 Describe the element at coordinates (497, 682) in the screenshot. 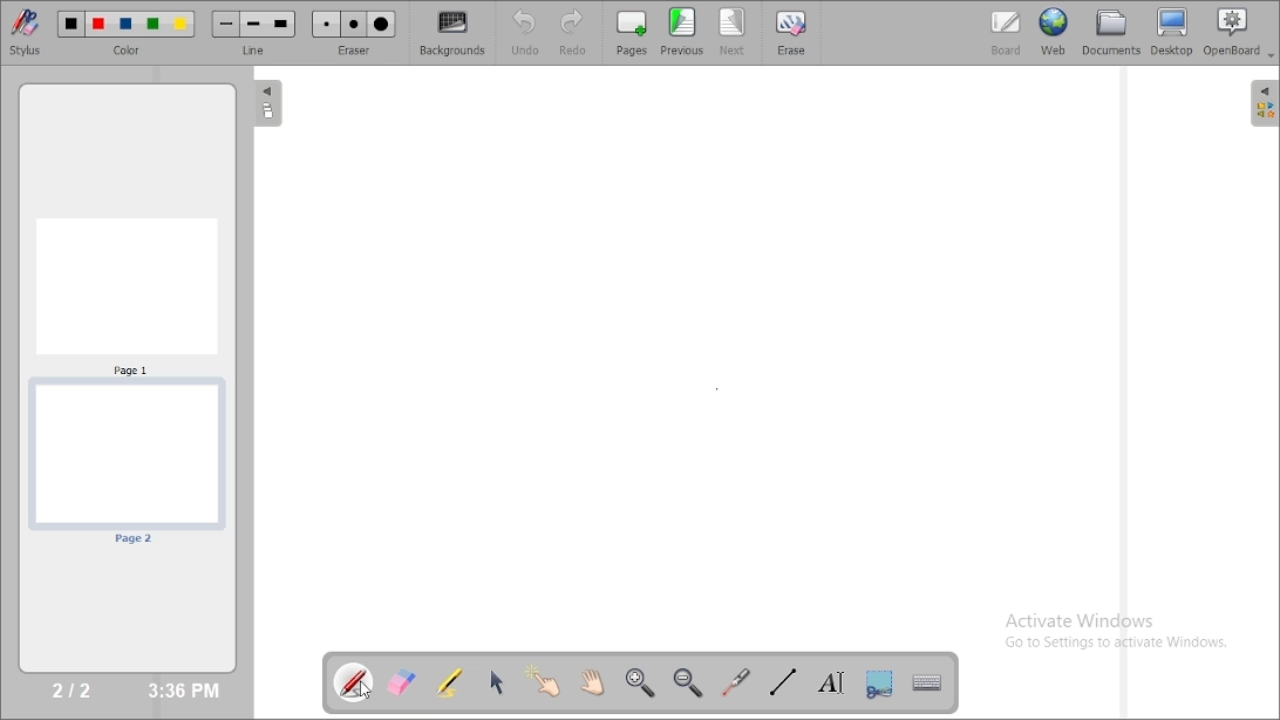

I see `select and modify objects` at that location.